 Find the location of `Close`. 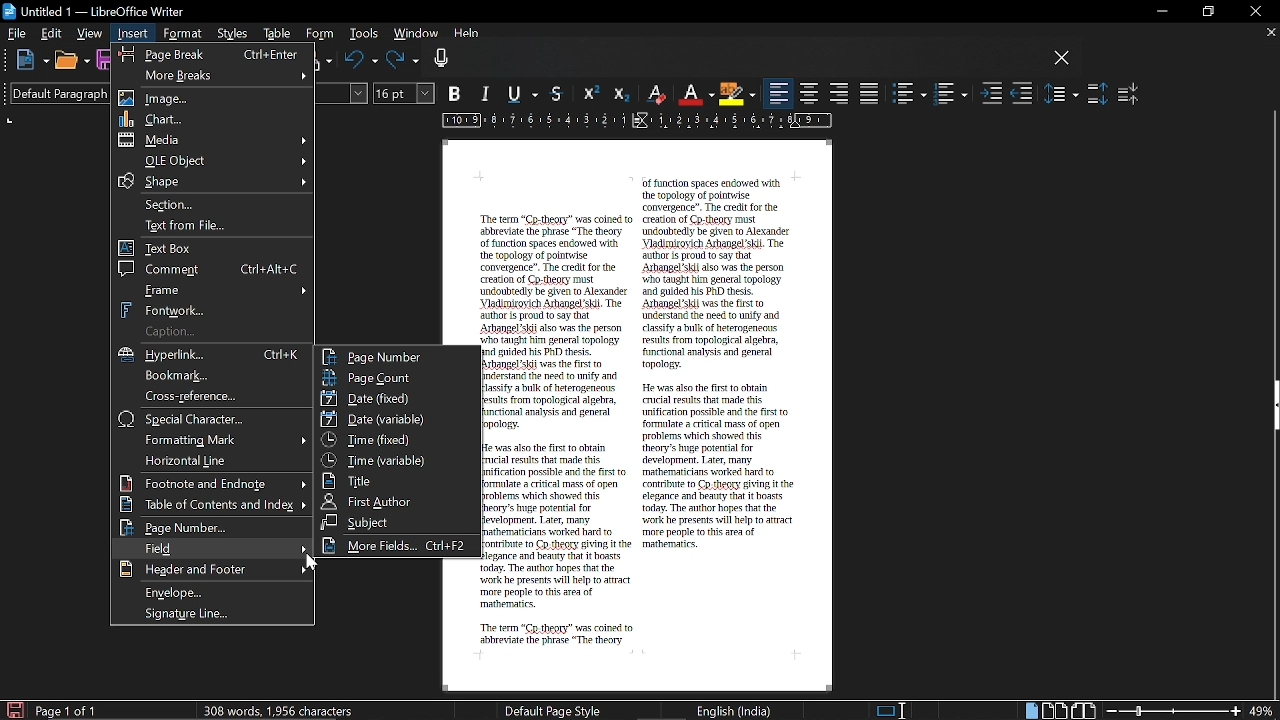

Close is located at coordinates (1254, 12).